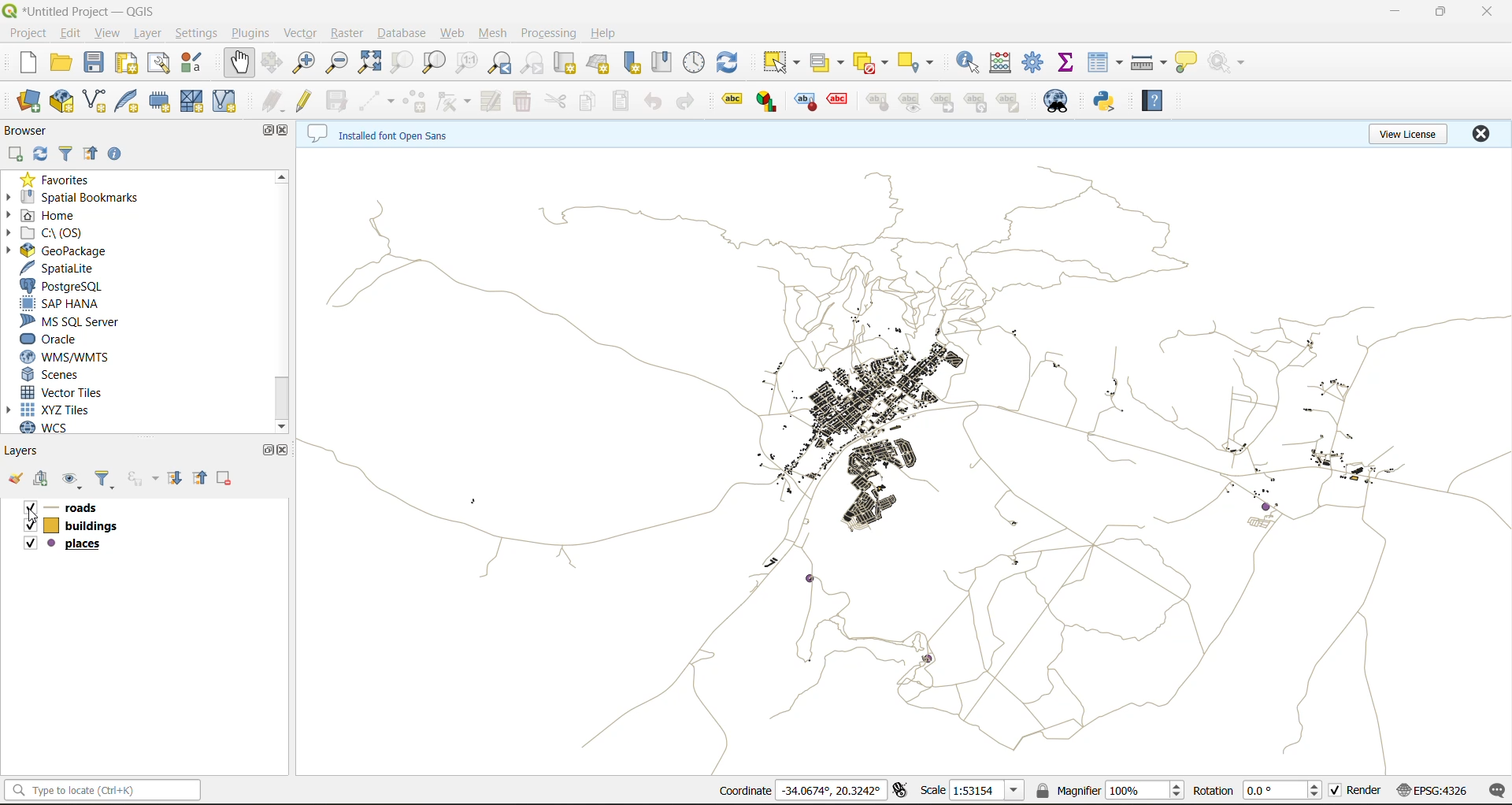 The height and width of the screenshot is (805, 1512). What do you see at coordinates (338, 102) in the screenshot?
I see `save edits` at bounding box center [338, 102].